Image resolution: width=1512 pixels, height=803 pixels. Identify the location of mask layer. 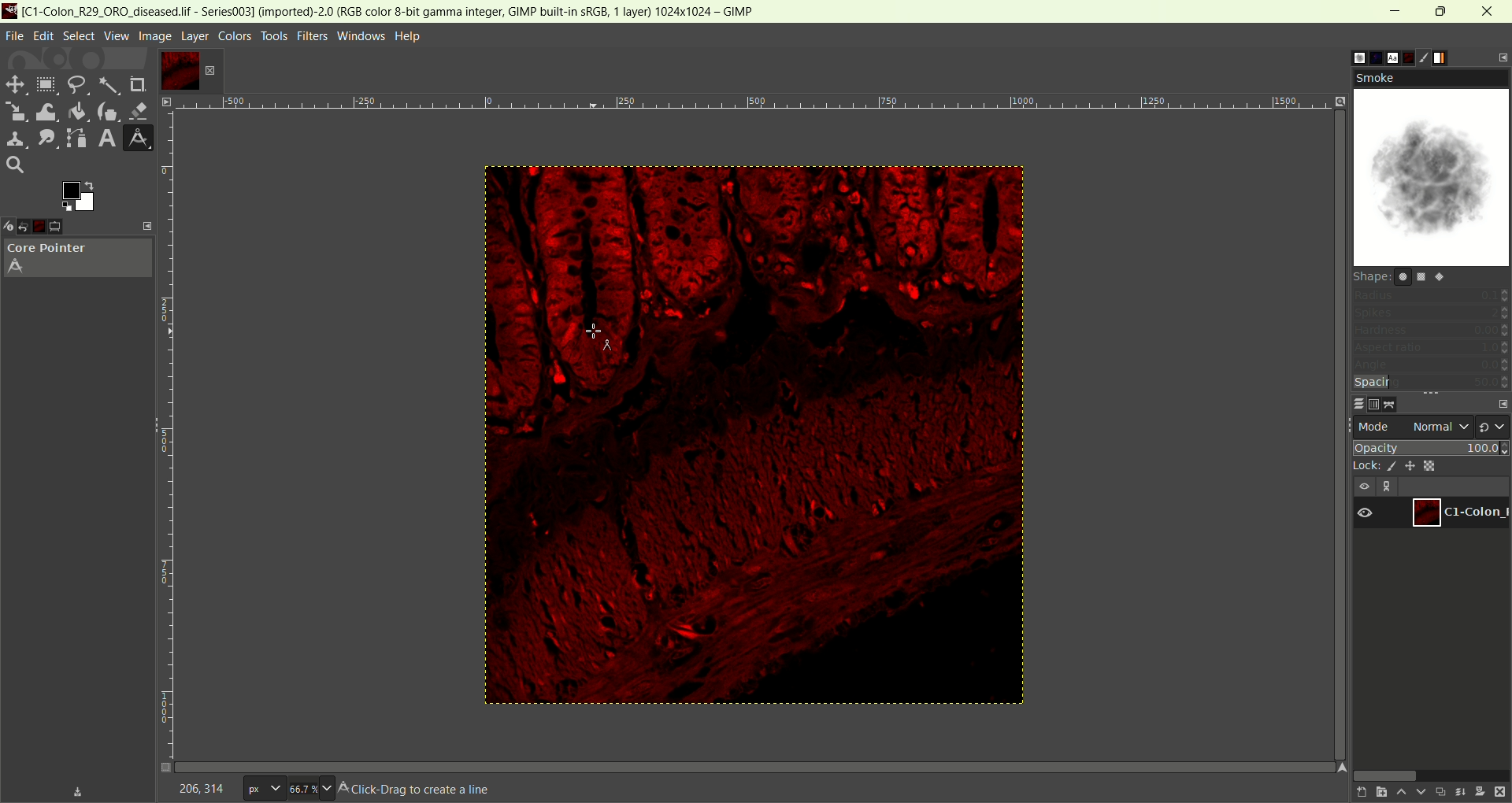
(1480, 793).